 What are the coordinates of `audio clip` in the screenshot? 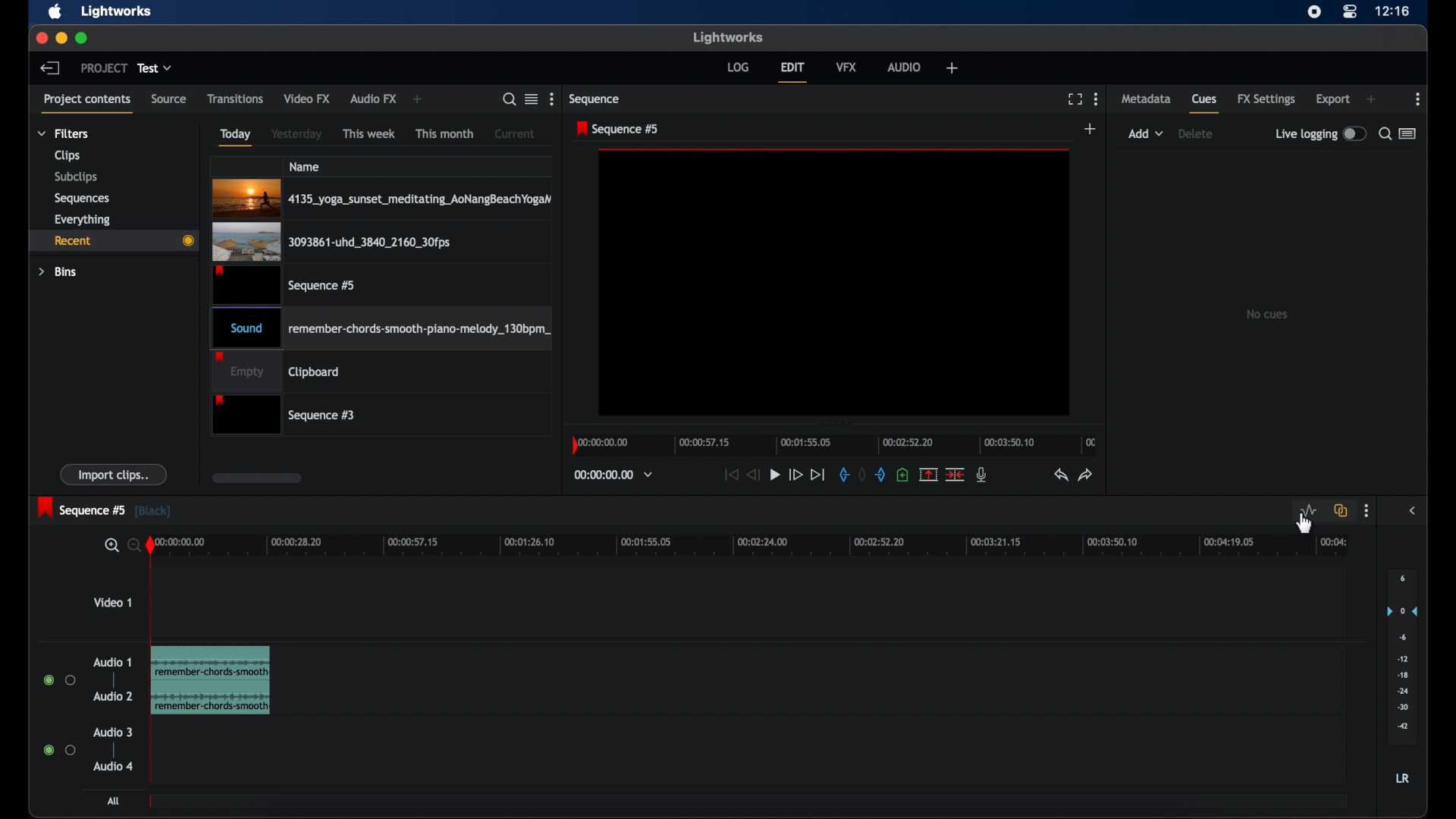 It's located at (210, 681).